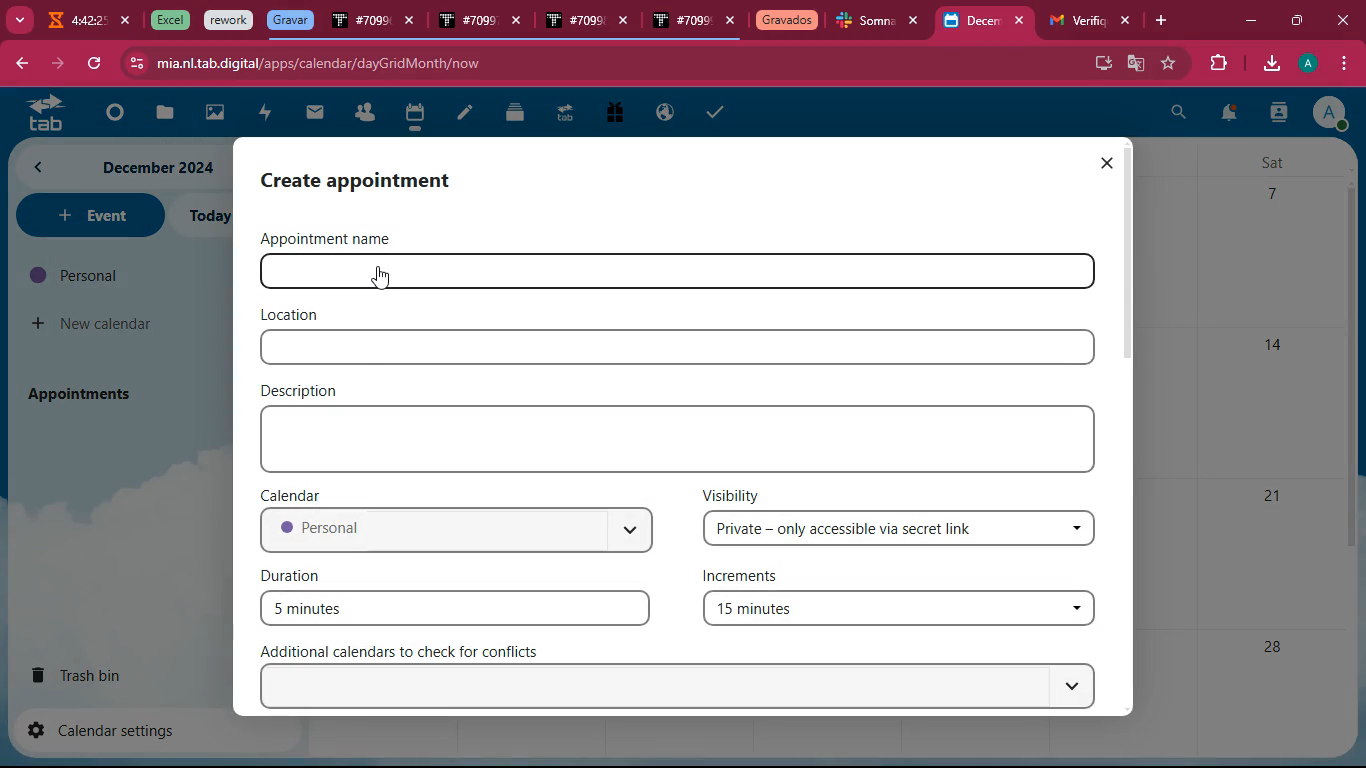  What do you see at coordinates (116, 275) in the screenshot?
I see `personal` at bounding box center [116, 275].